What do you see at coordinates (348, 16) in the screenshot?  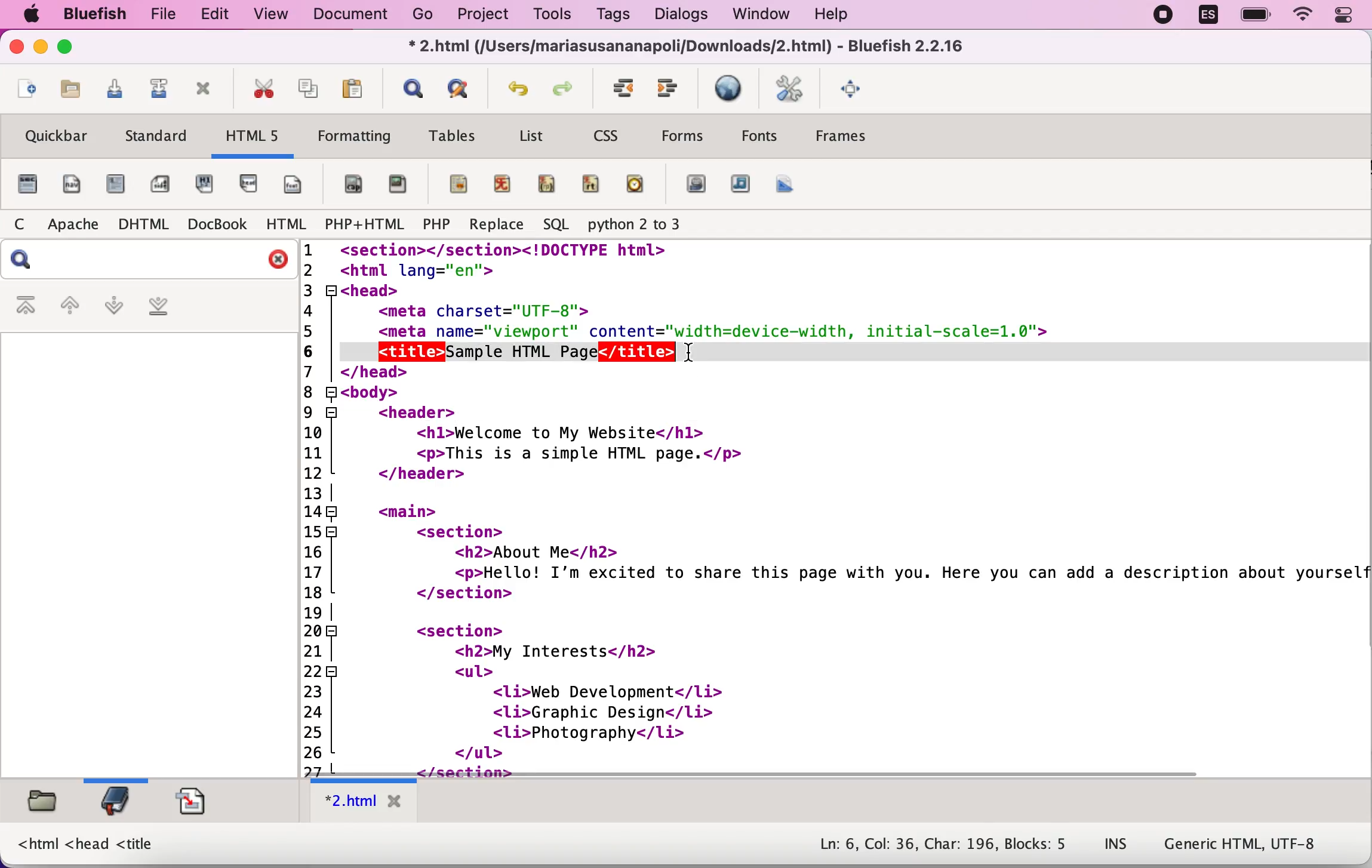 I see `document` at bounding box center [348, 16].